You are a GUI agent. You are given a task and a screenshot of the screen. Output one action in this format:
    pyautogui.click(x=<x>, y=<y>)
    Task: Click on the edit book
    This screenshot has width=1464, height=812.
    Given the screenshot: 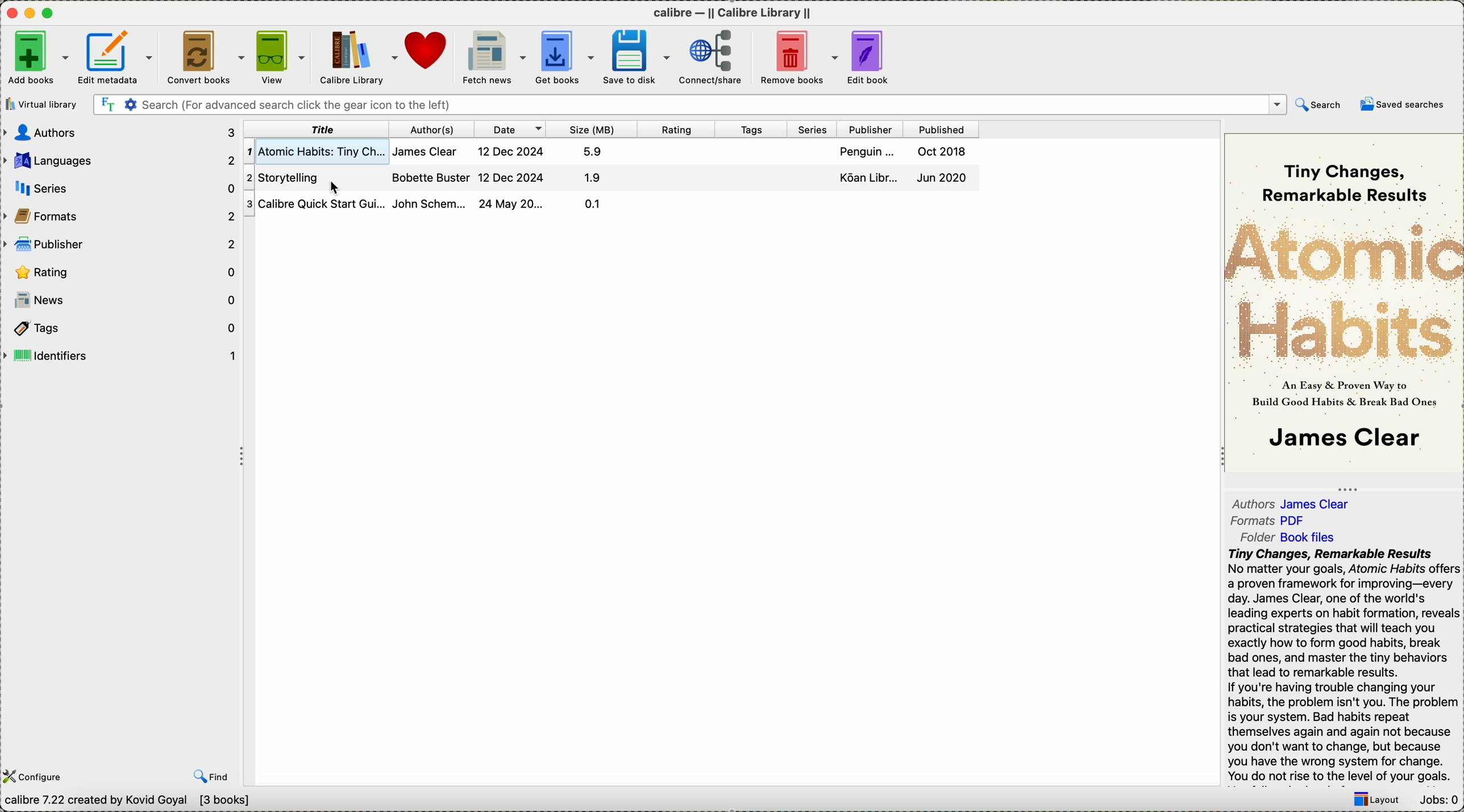 What is the action you would take?
    pyautogui.click(x=870, y=59)
    